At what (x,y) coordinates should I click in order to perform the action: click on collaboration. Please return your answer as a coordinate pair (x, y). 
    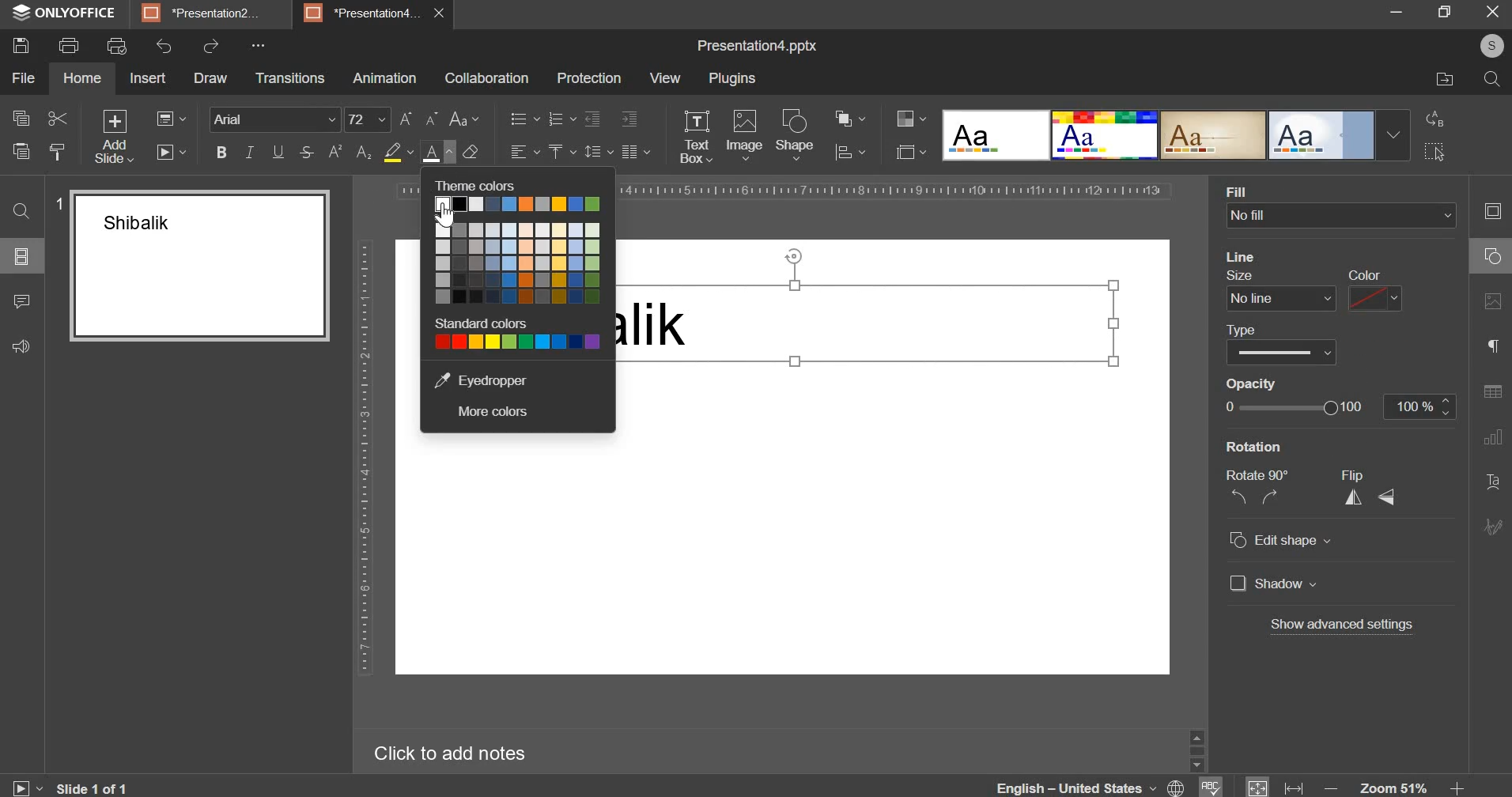
    Looking at the image, I should click on (486, 78).